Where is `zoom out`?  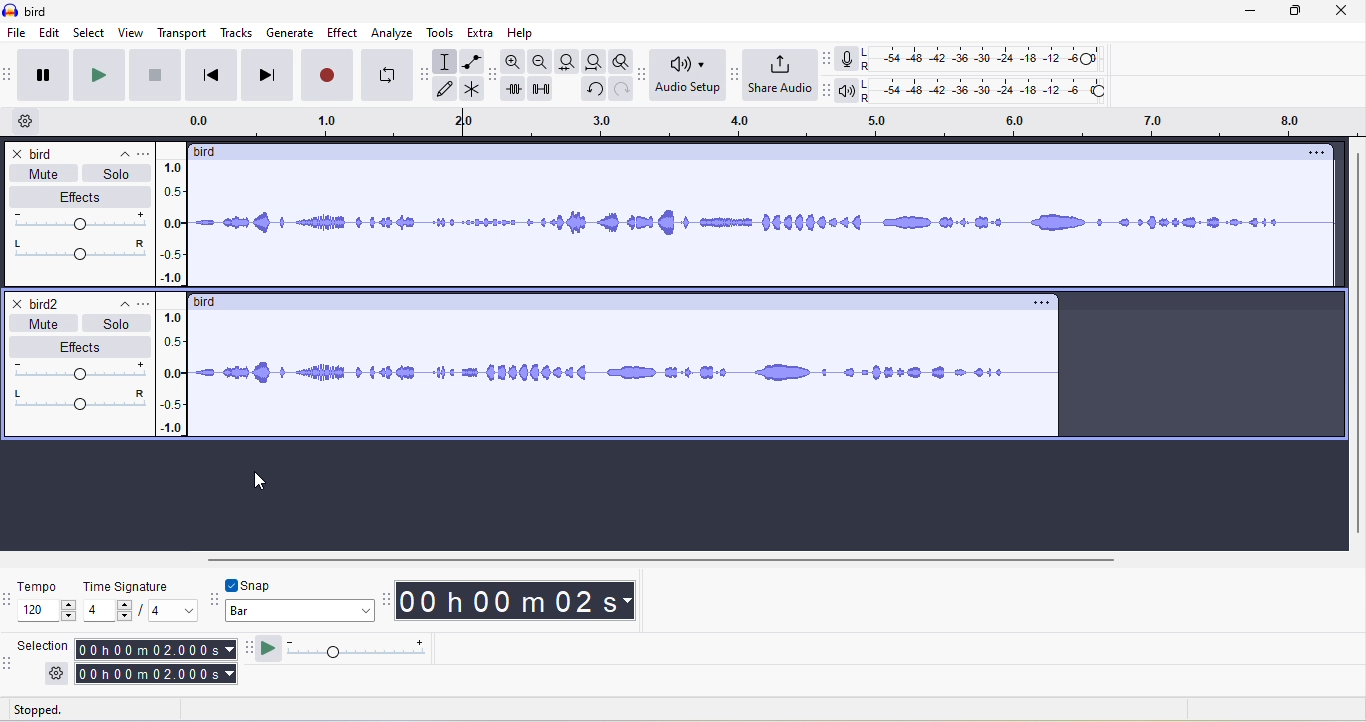
zoom out is located at coordinates (539, 60).